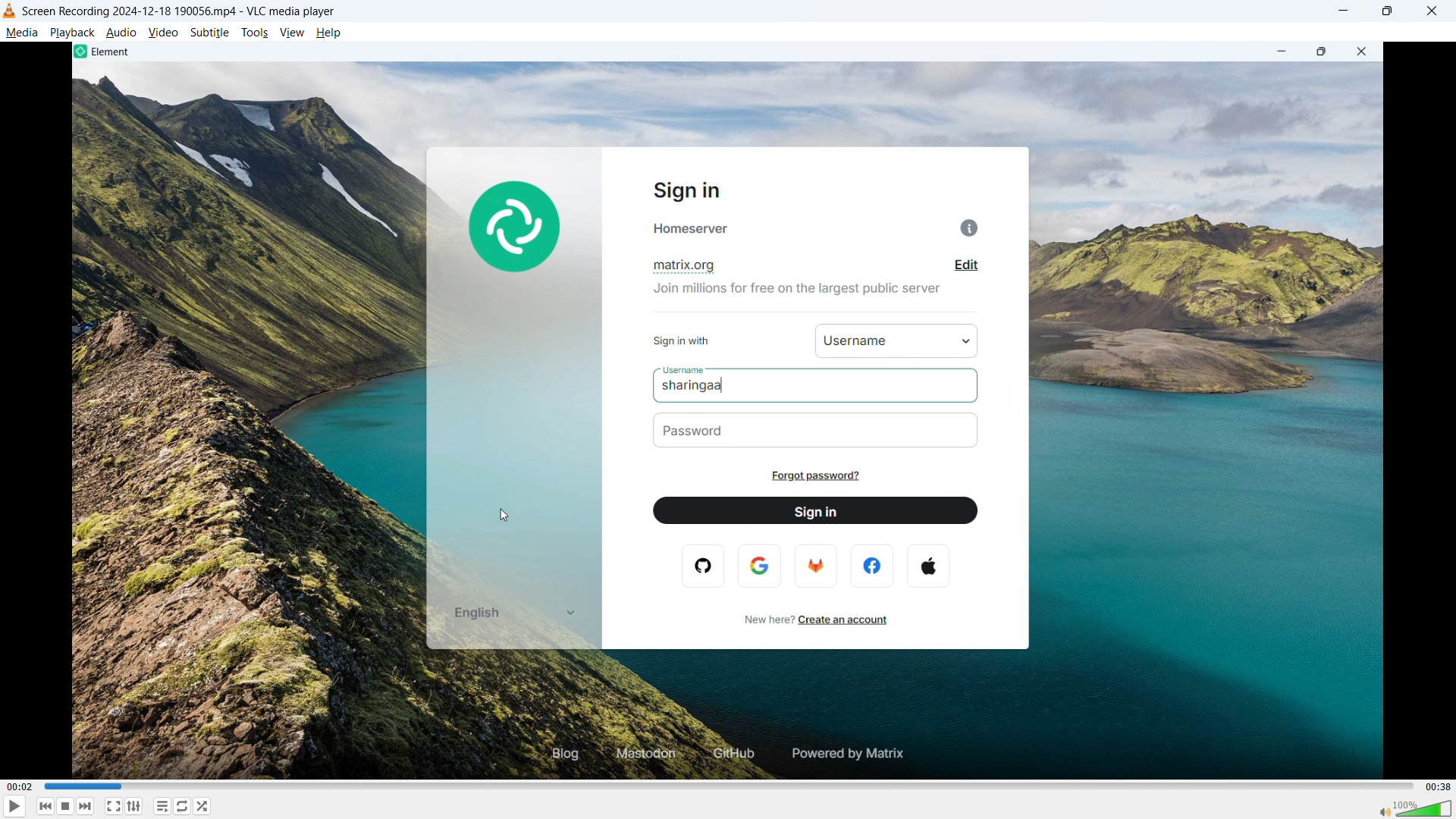 This screenshot has width=1456, height=819. Describe the element at coordinates (1366, 52) in the screenshot. I see `close` at that location.